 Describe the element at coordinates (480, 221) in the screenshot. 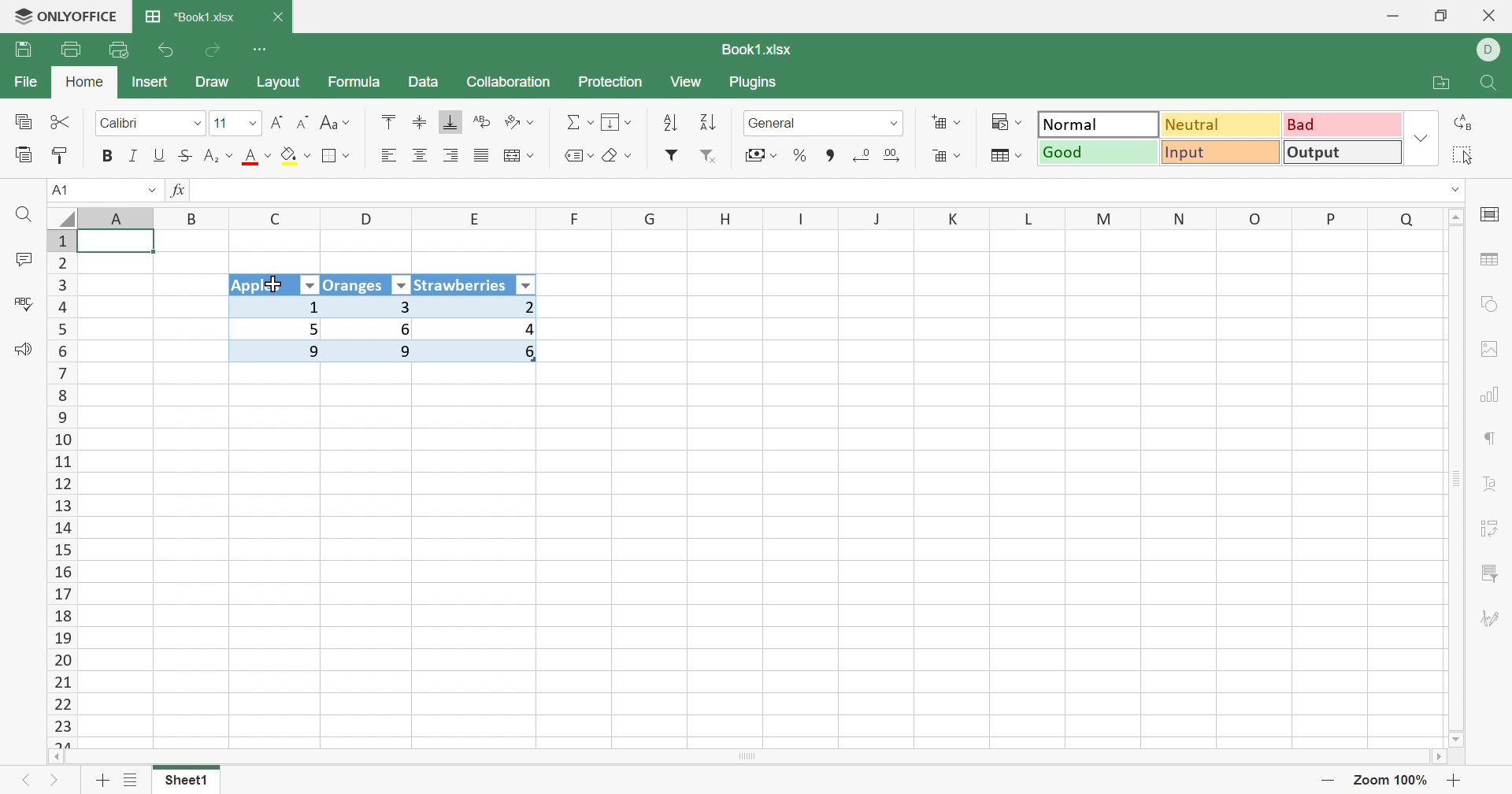

I see `E` at that location.